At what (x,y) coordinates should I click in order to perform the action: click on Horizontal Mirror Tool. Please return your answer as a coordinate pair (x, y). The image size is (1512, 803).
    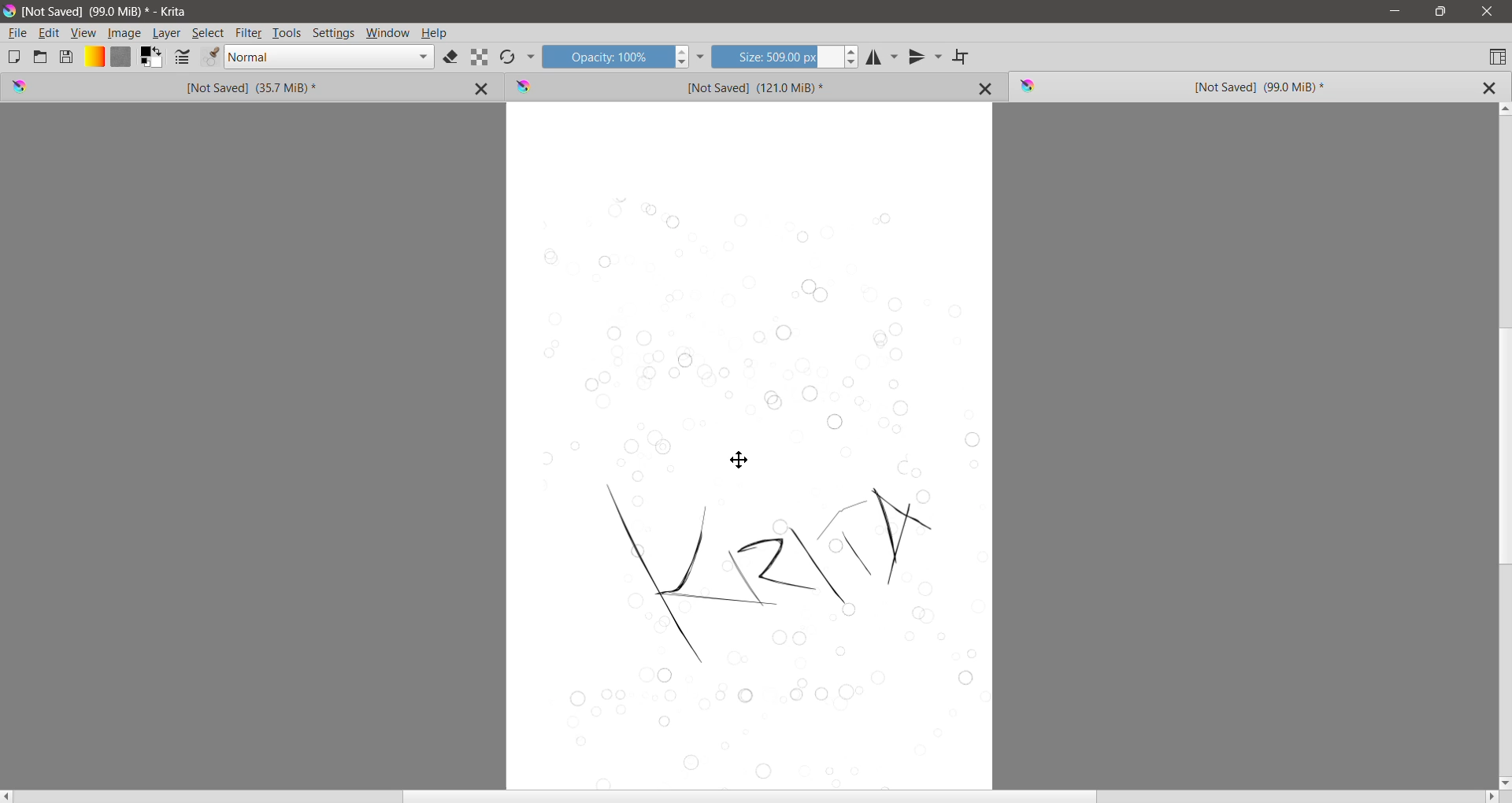
    Looking at the image, I should click on (883, 56).